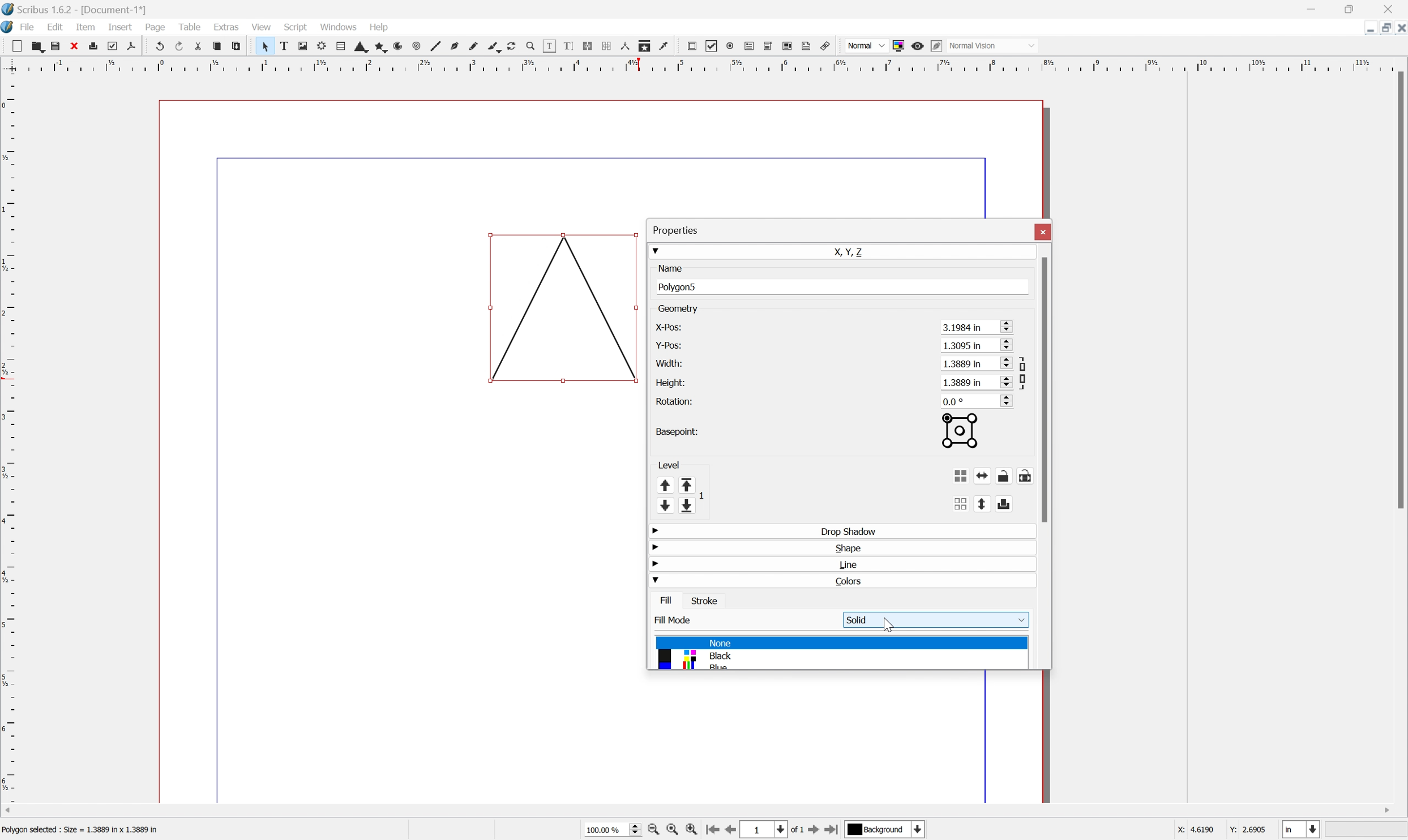  I want to click on Group the selected objects, so click(975, 474).